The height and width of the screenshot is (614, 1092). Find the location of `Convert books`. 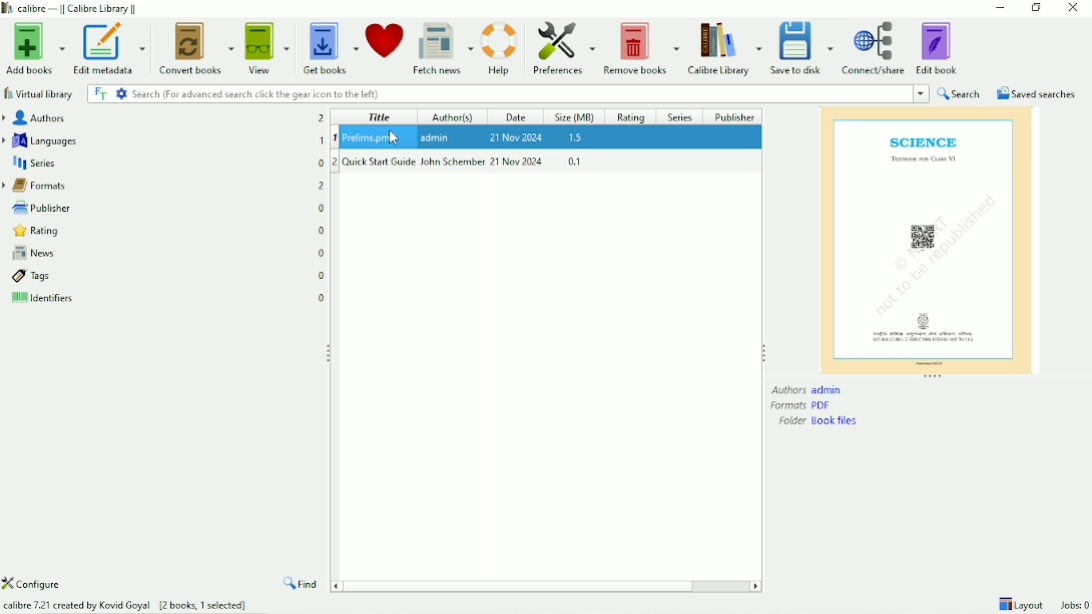

Convert books is located at coordinates (198, 48).